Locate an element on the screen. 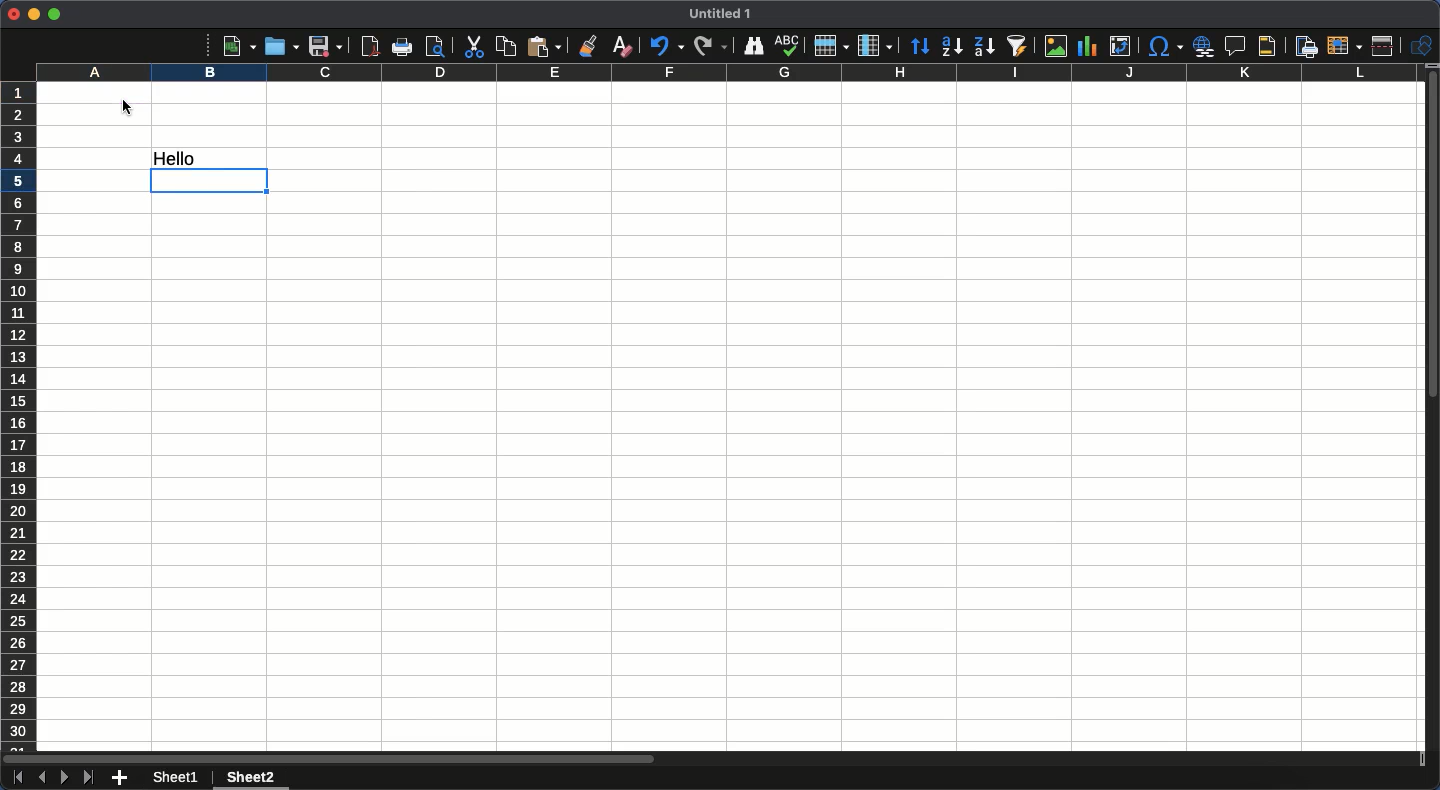 This screenshot has height=790, width=1440. Scroll is located at coordinates (1431, 418).